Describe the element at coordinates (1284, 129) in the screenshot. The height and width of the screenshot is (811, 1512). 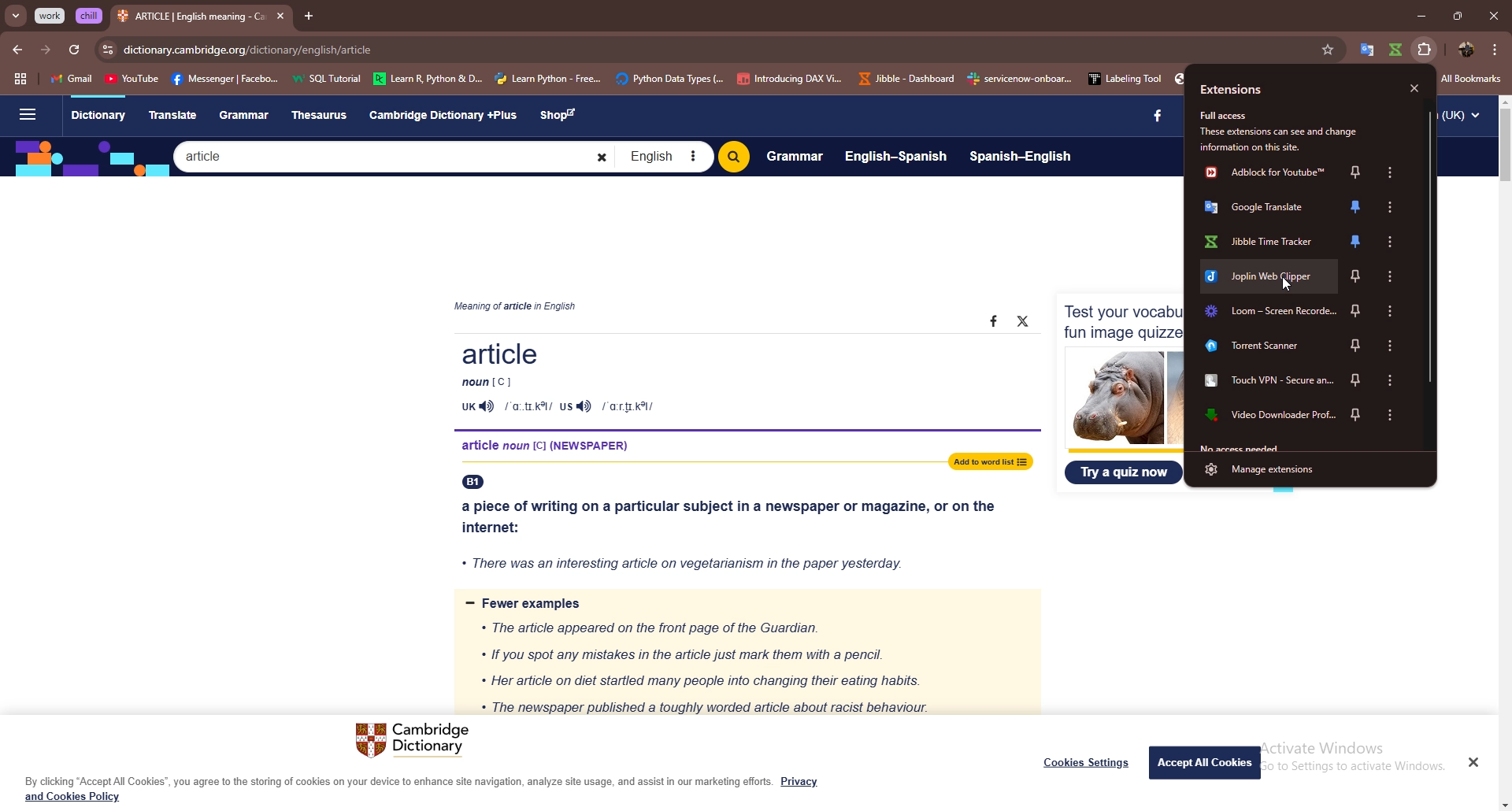
I see `full access description` at that location.